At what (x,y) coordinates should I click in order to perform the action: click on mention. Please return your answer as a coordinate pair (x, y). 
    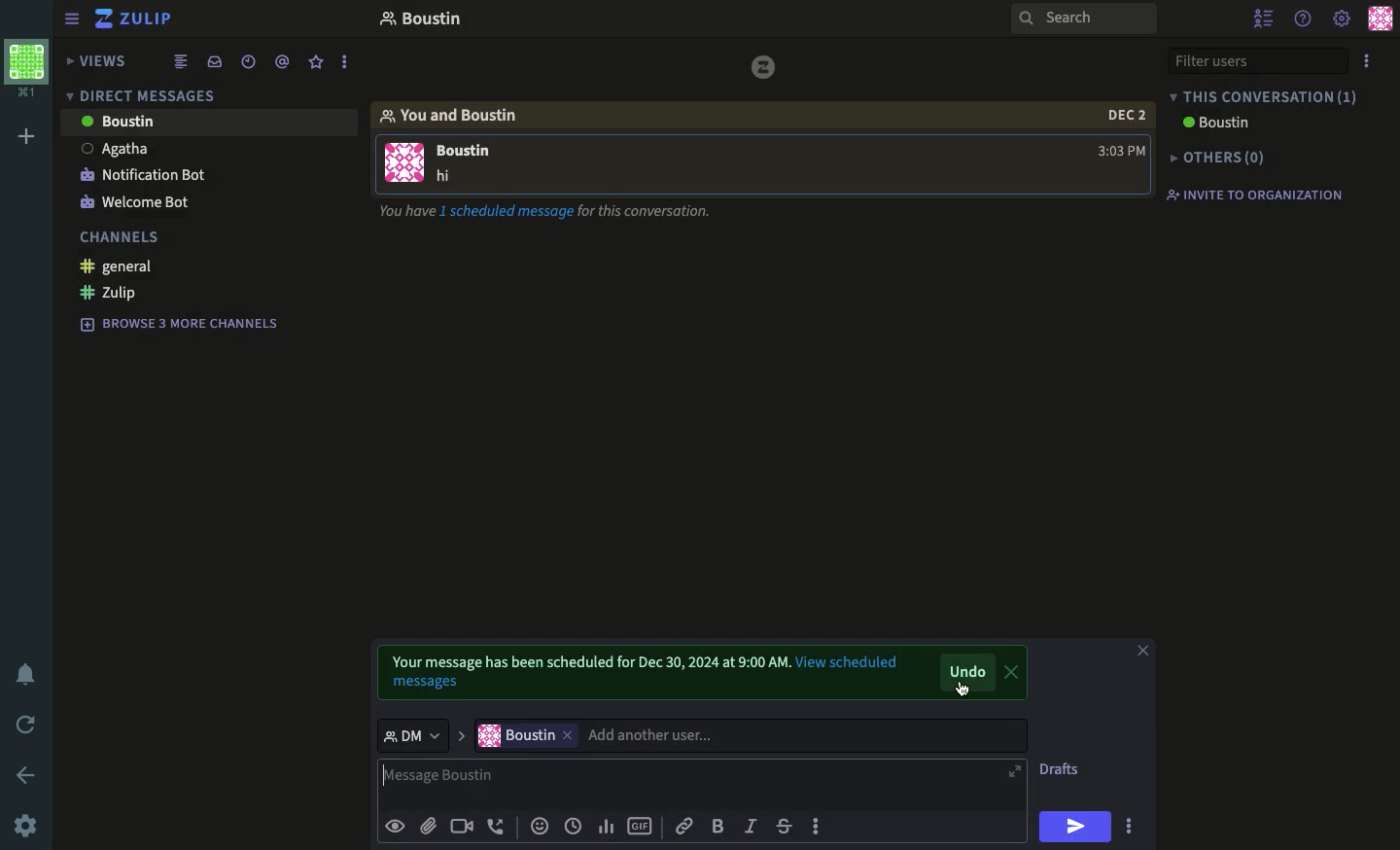
    Looking at the image, I should click on (284, 62).